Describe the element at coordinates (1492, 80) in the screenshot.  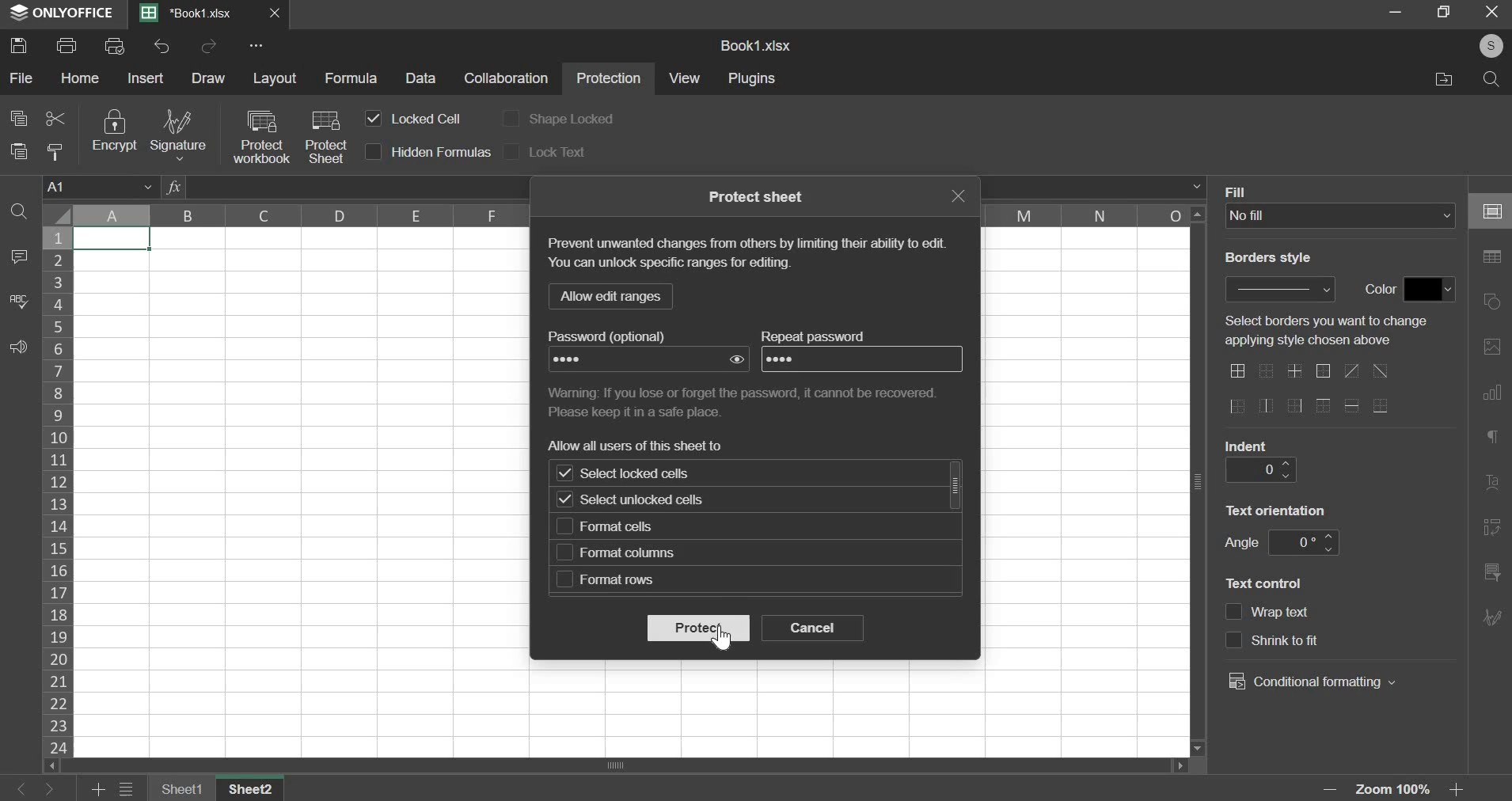
I see `Search` at that location.